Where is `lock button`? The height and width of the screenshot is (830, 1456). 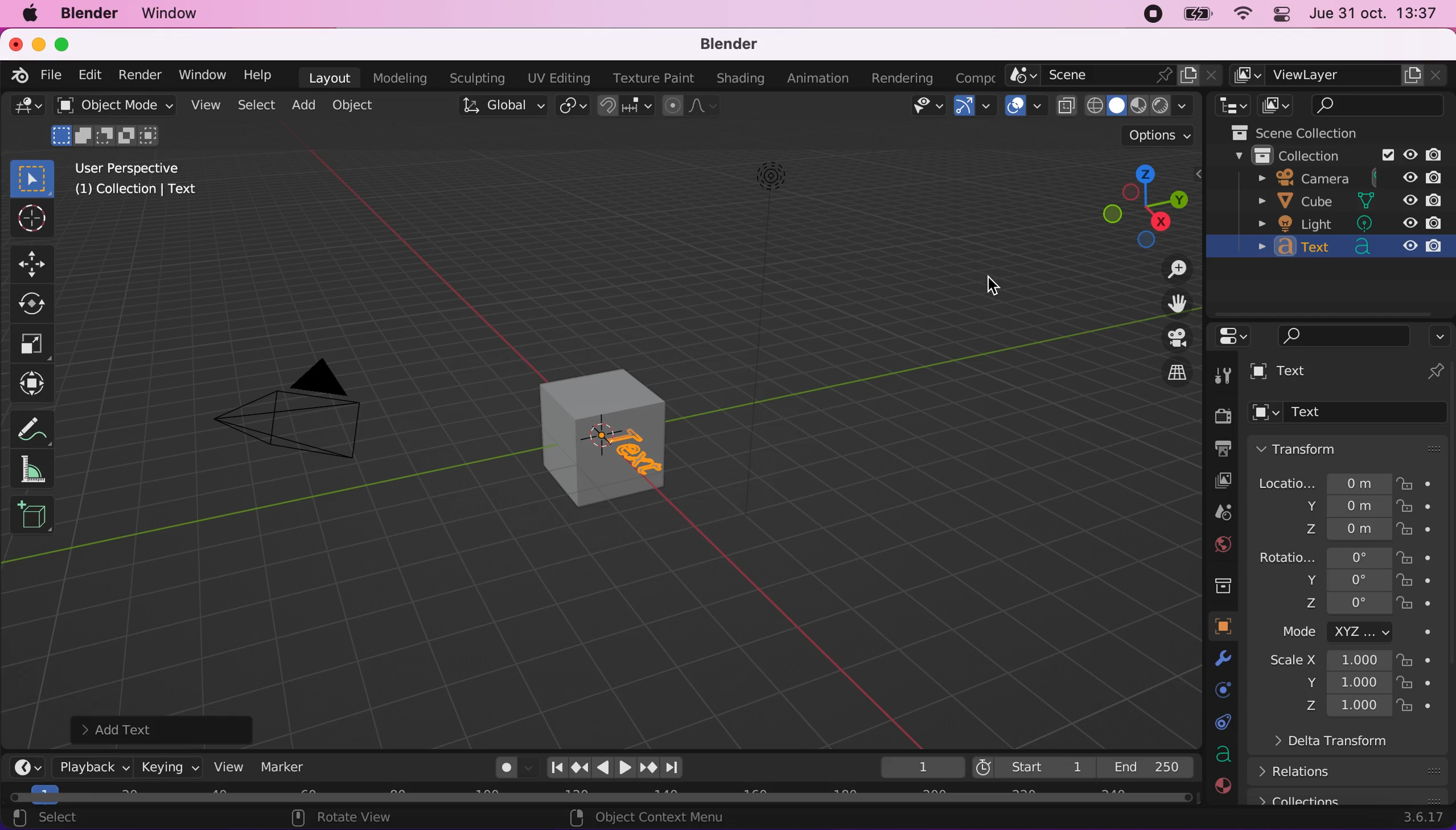 lock button is located at coordinates (1417, 581).